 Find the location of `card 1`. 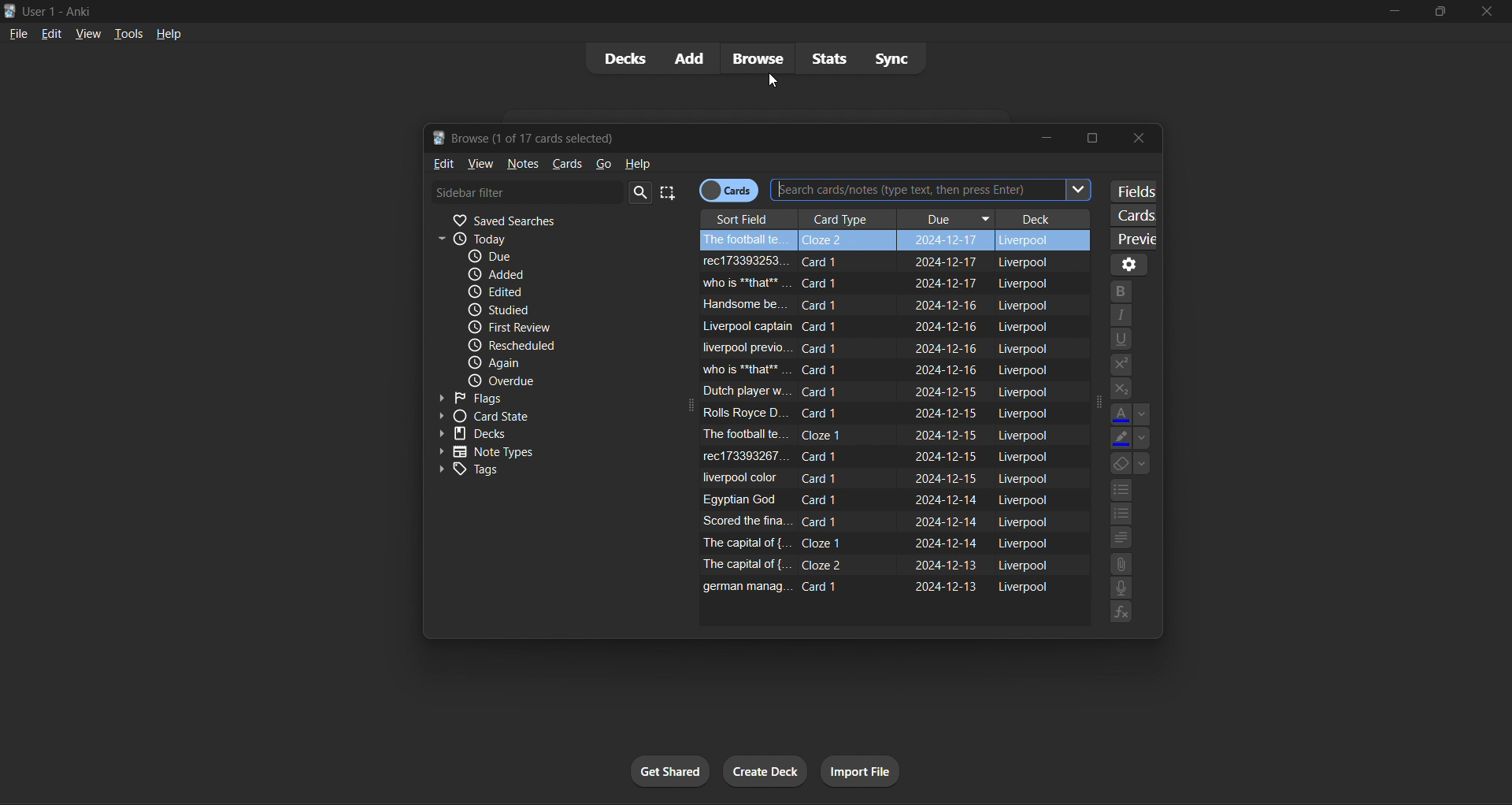

card 1 is located at coordinates (830, 587).